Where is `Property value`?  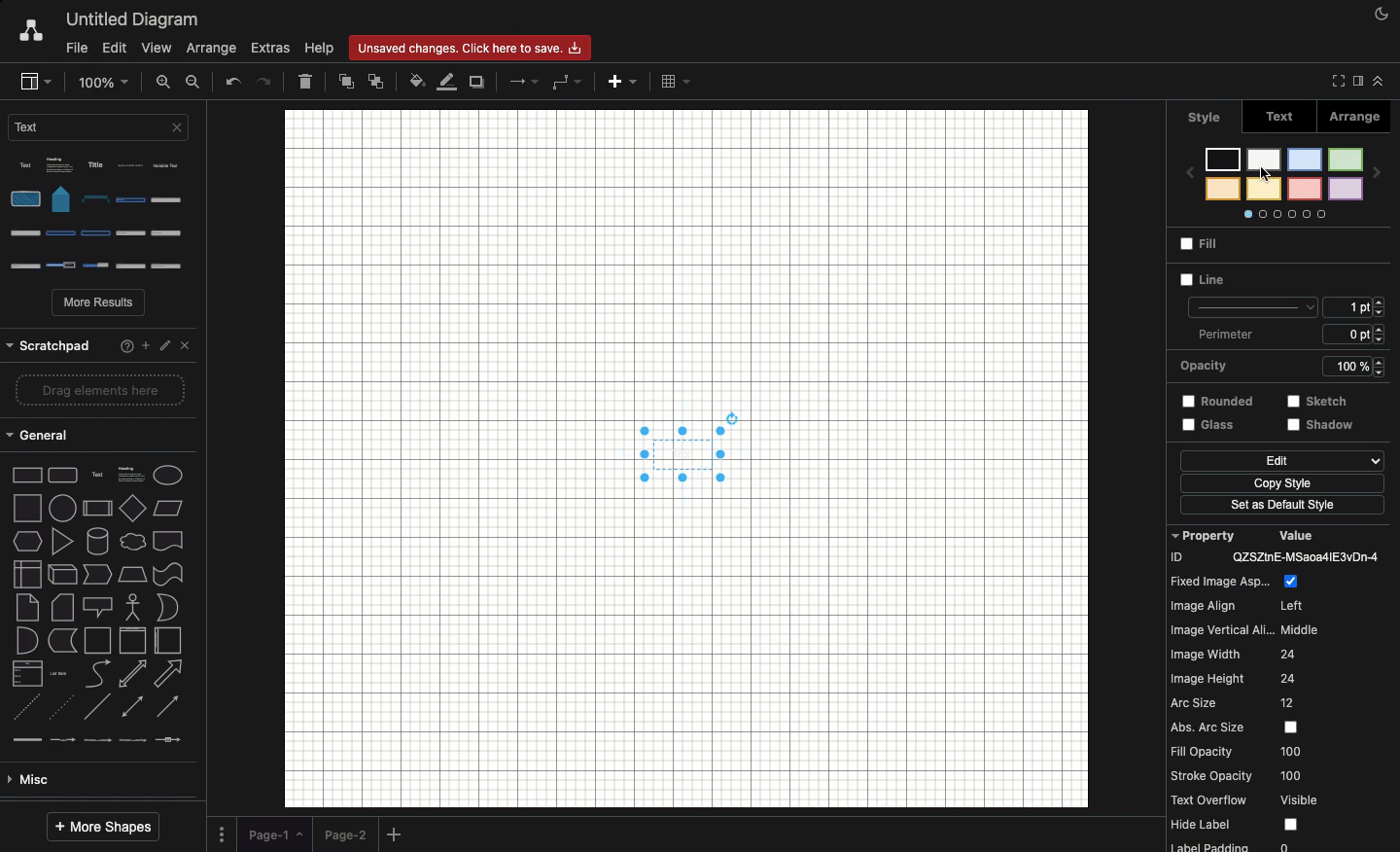
Property value is located at coordinates (1283, 689).